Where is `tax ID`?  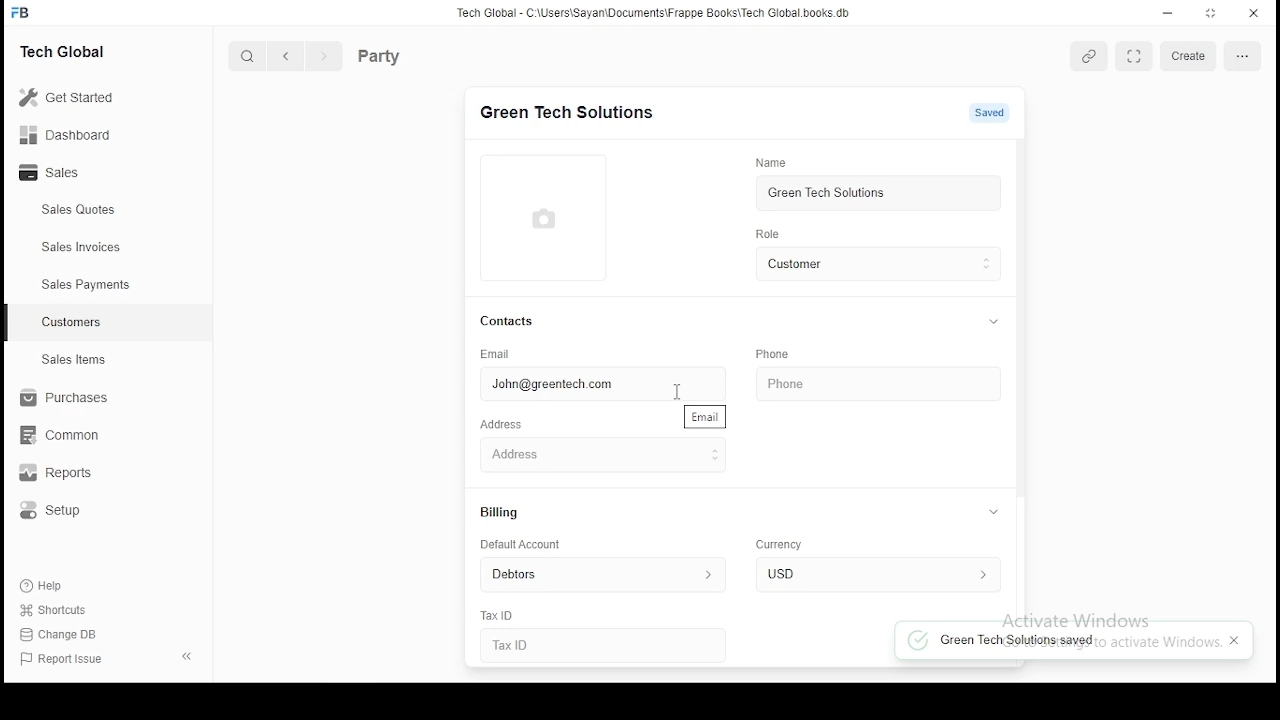
tax ID is located at coordinates (500, 616).